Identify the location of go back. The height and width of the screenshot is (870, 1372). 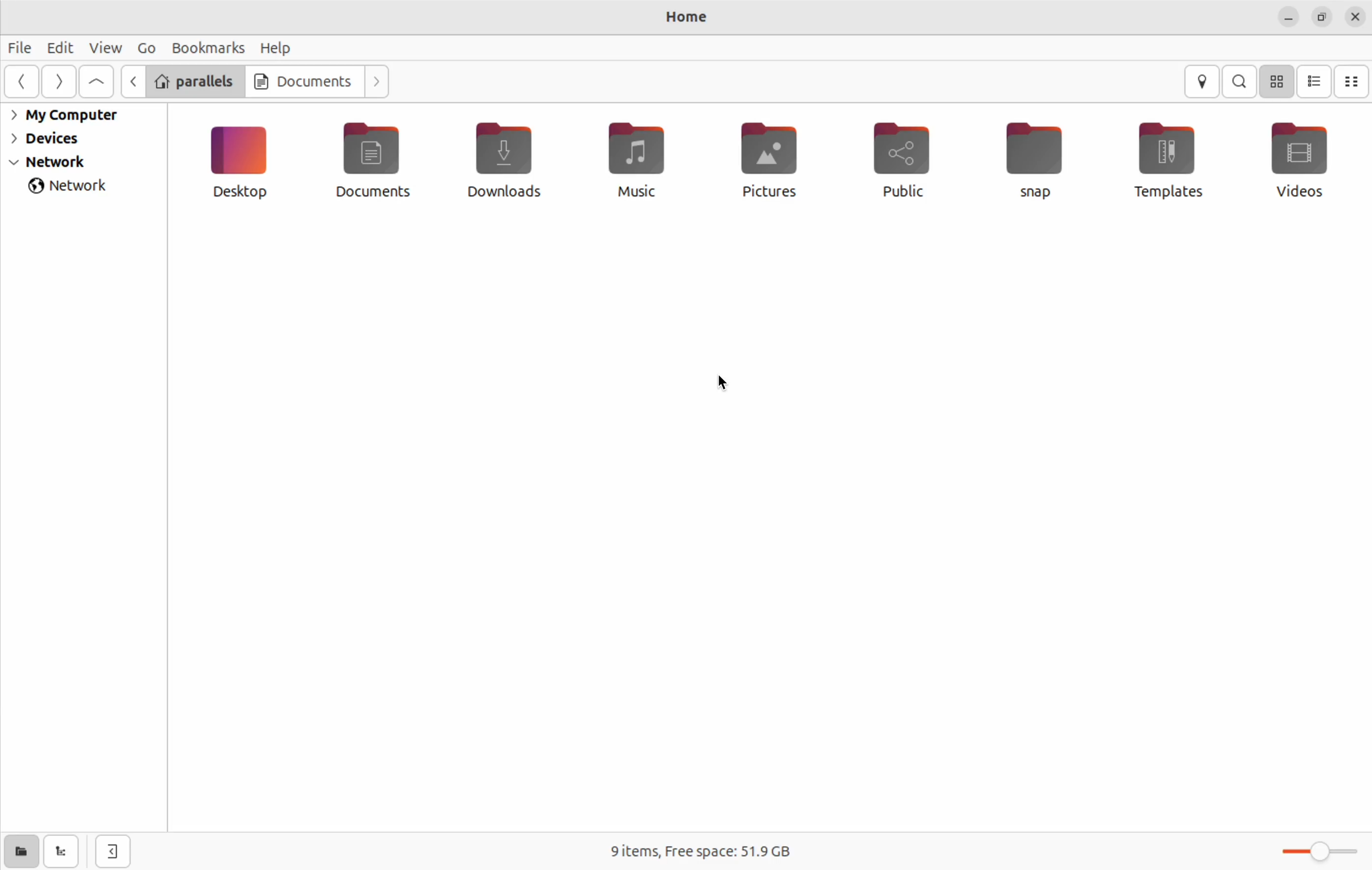
(24, 83).